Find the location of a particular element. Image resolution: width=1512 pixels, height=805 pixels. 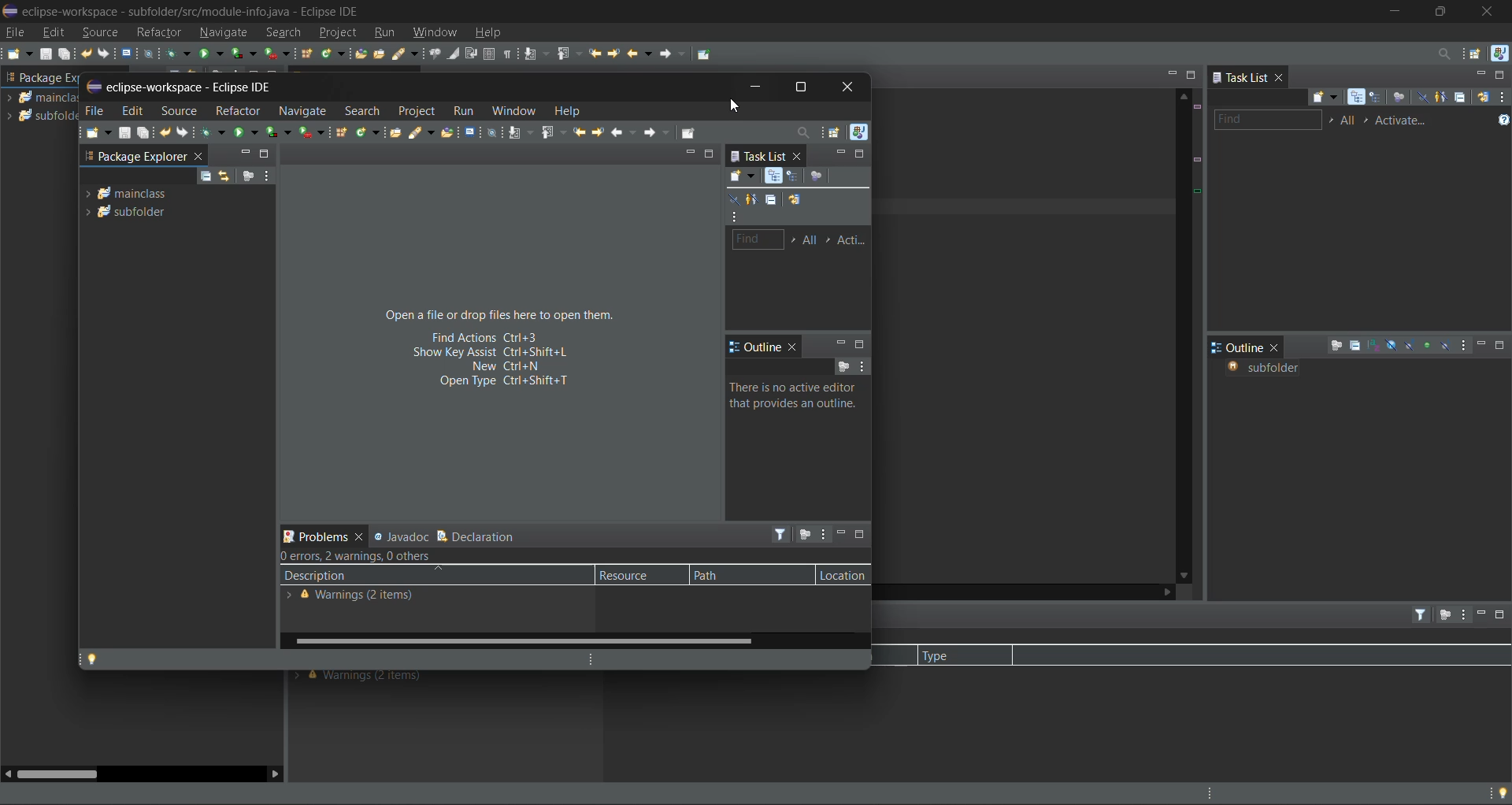

show whitespace characters is located at coordinates (510, 54).